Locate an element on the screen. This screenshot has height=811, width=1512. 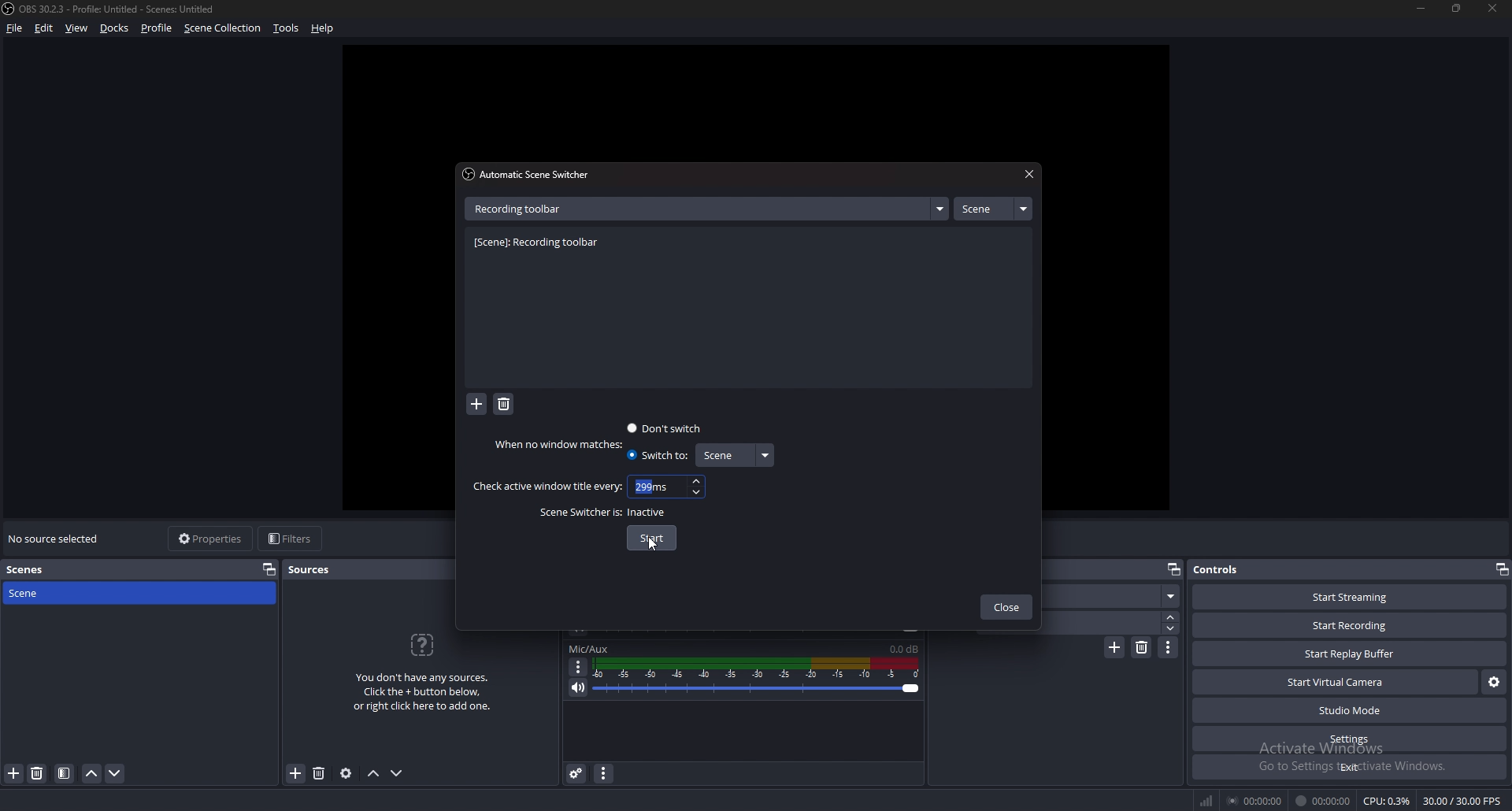
start virtual camera is located at coordinates (1337, 682).